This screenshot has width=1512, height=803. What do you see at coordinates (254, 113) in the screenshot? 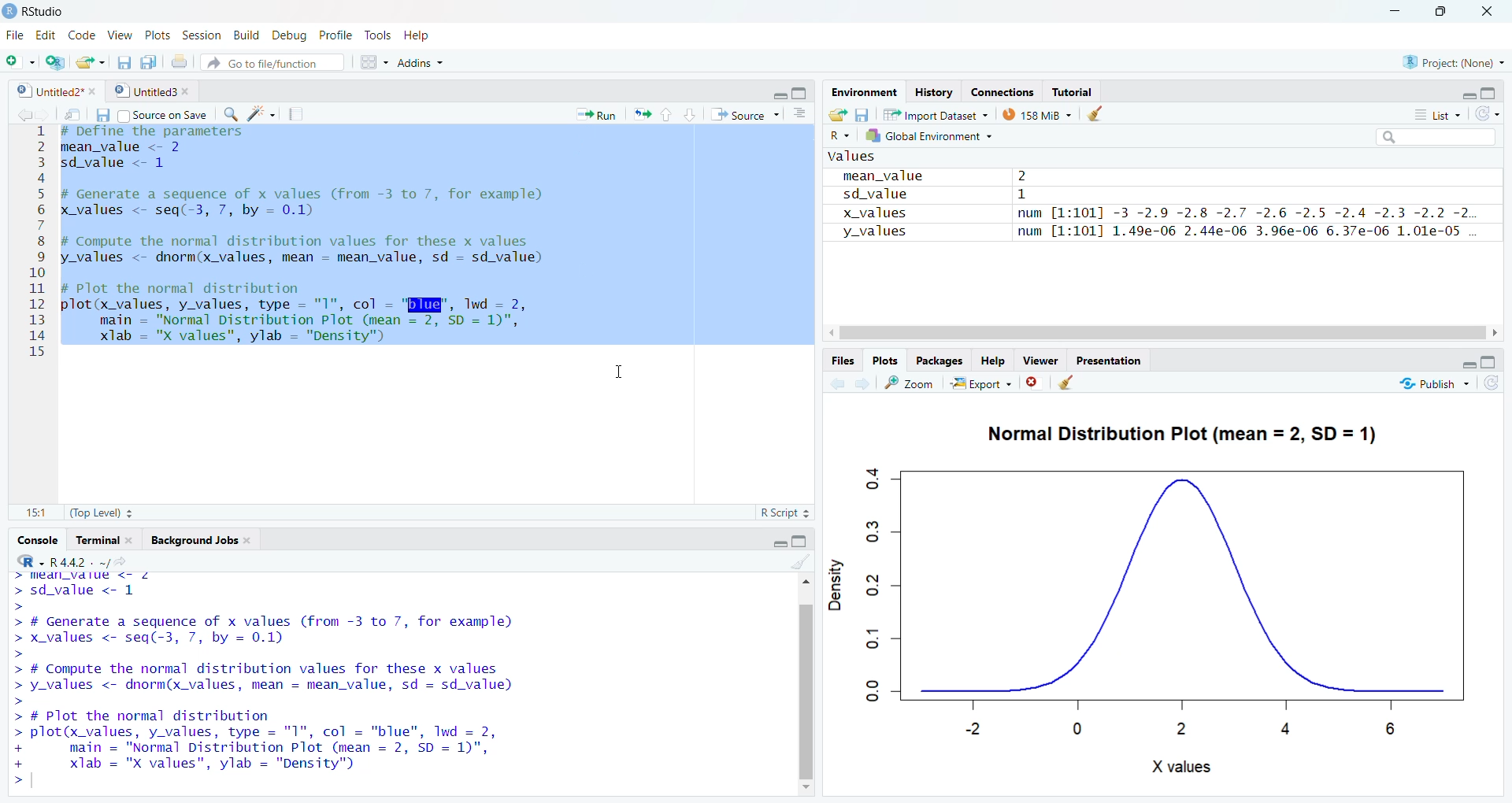
I see `code block` at bounding box center [254, 113].